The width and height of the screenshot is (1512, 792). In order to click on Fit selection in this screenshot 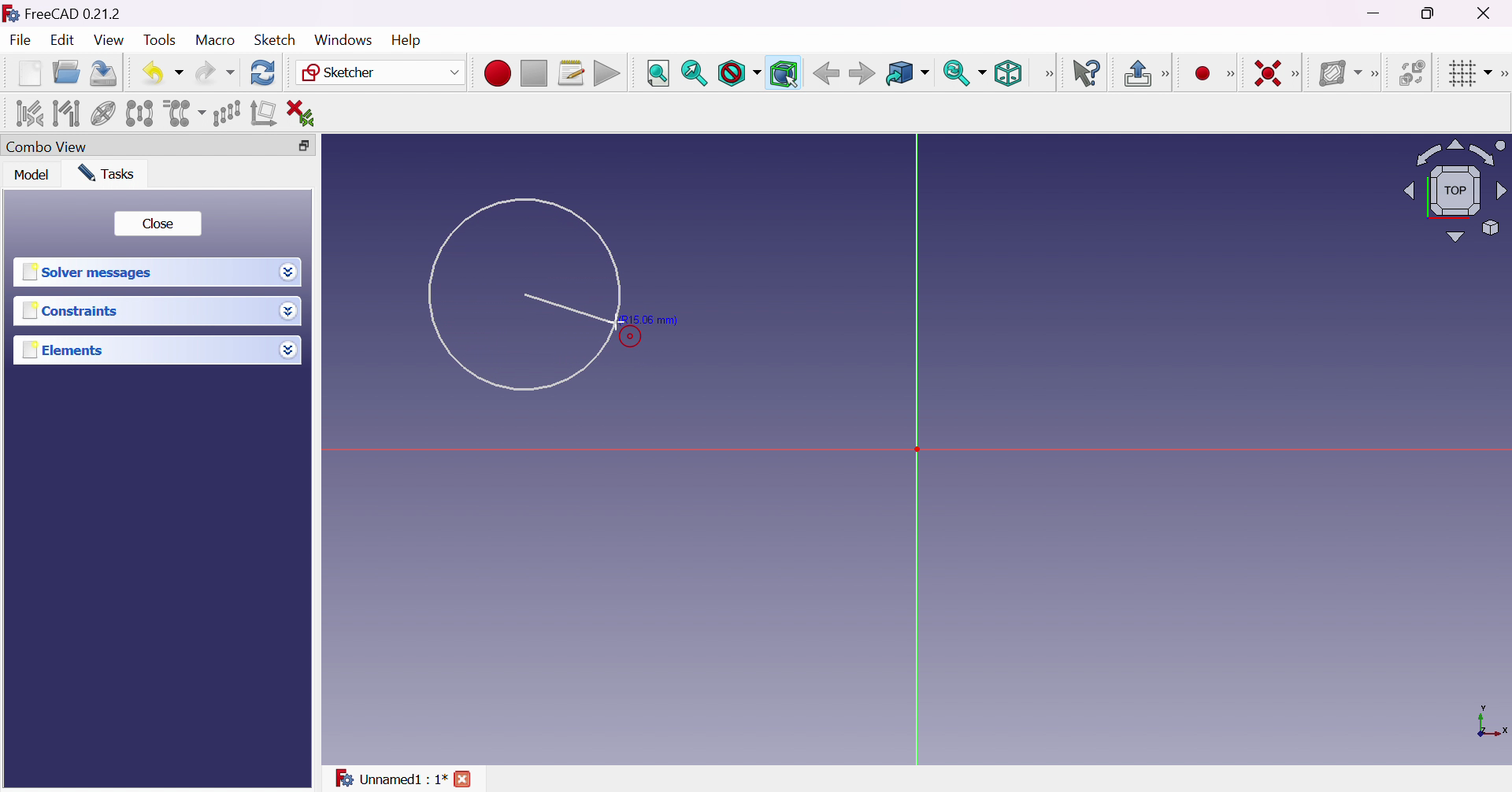, I will do `click(694, 73)`.